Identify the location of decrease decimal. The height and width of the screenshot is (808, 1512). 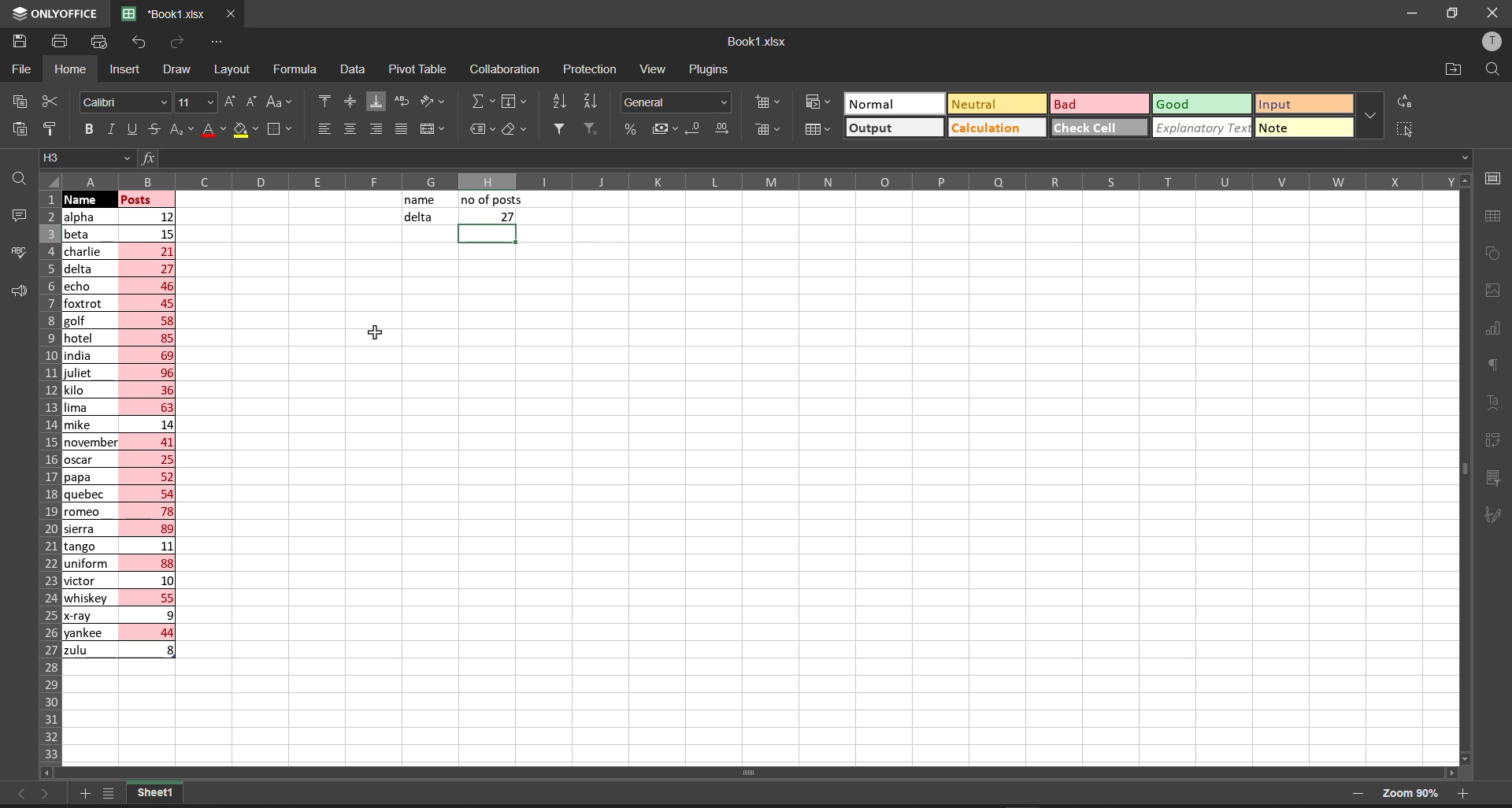
(691, 129).